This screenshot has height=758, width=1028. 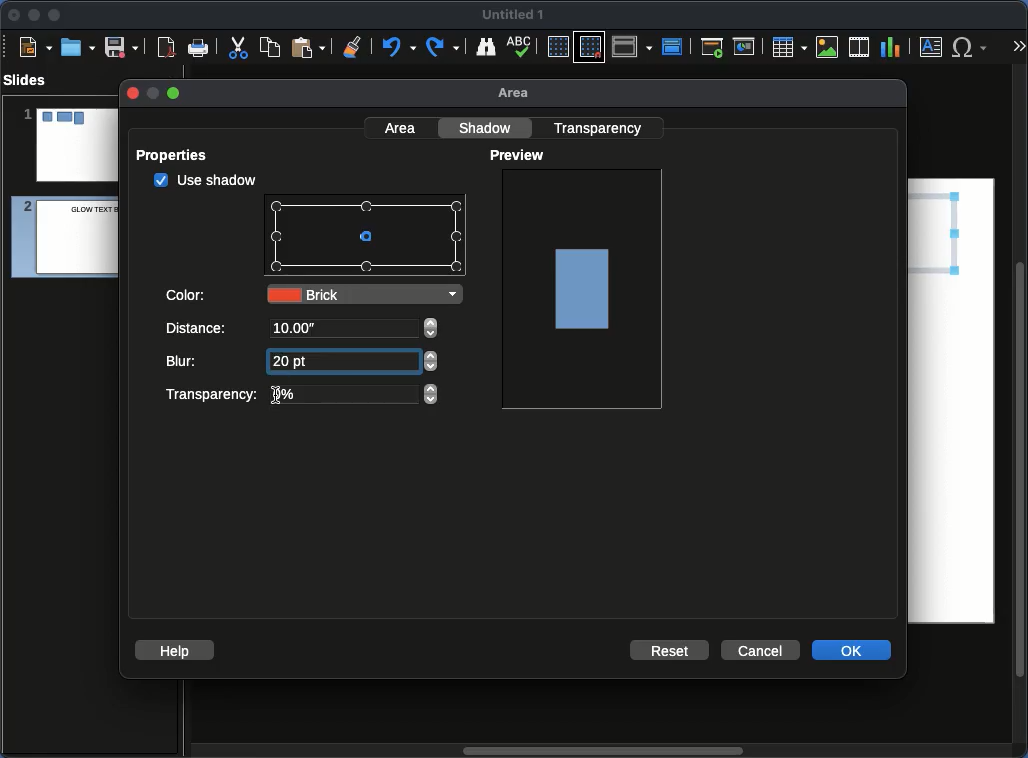 What do you see at coordinates (367, 238) in the screenshot?
I see `Points` at bounding box center [367, 238].